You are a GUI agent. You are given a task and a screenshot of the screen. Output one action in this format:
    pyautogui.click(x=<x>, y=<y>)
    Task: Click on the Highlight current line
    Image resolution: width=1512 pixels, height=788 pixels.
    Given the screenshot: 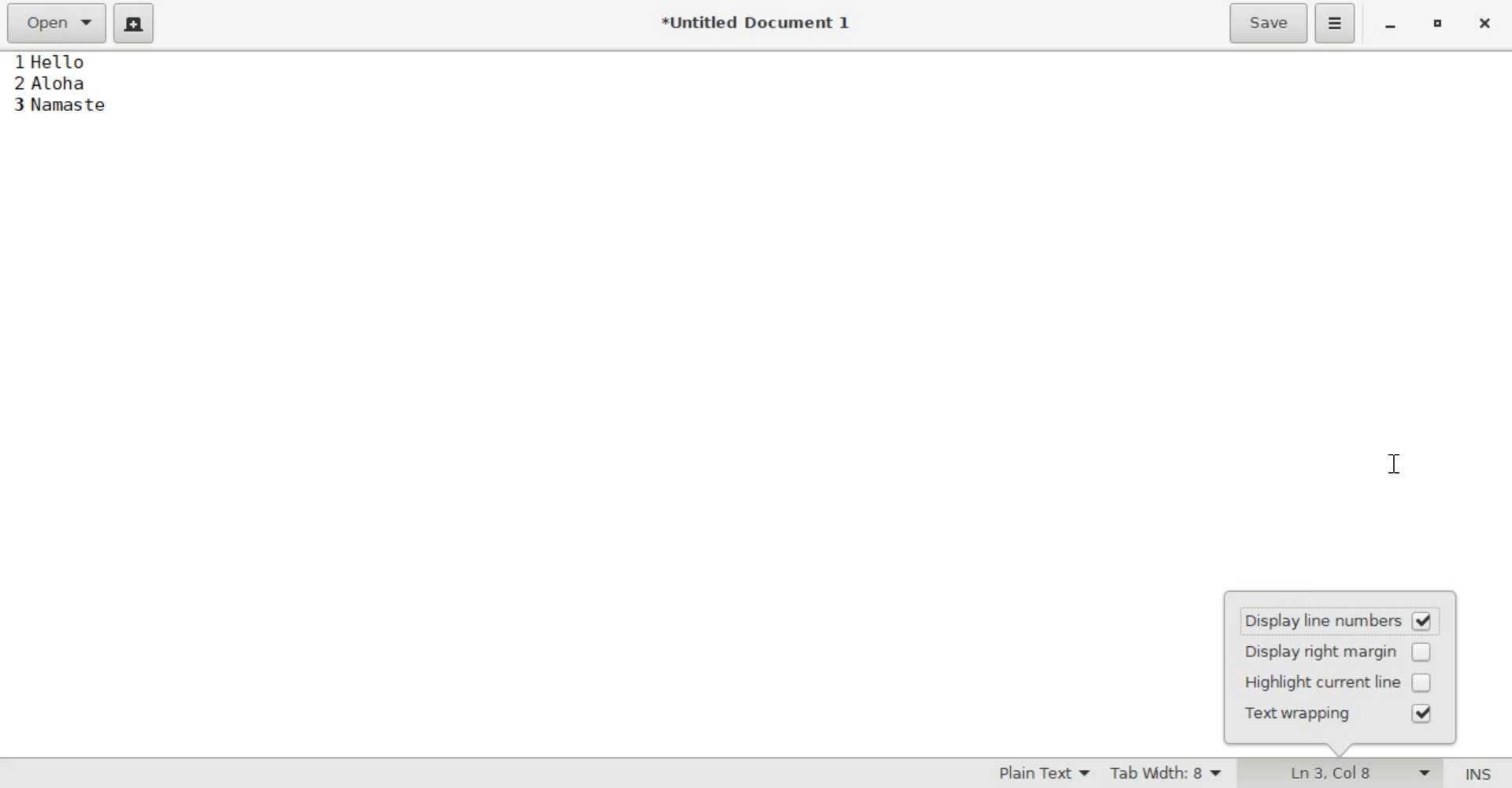 What is the action you would take?
    pyautogui.click(x=1317, y=682)
    